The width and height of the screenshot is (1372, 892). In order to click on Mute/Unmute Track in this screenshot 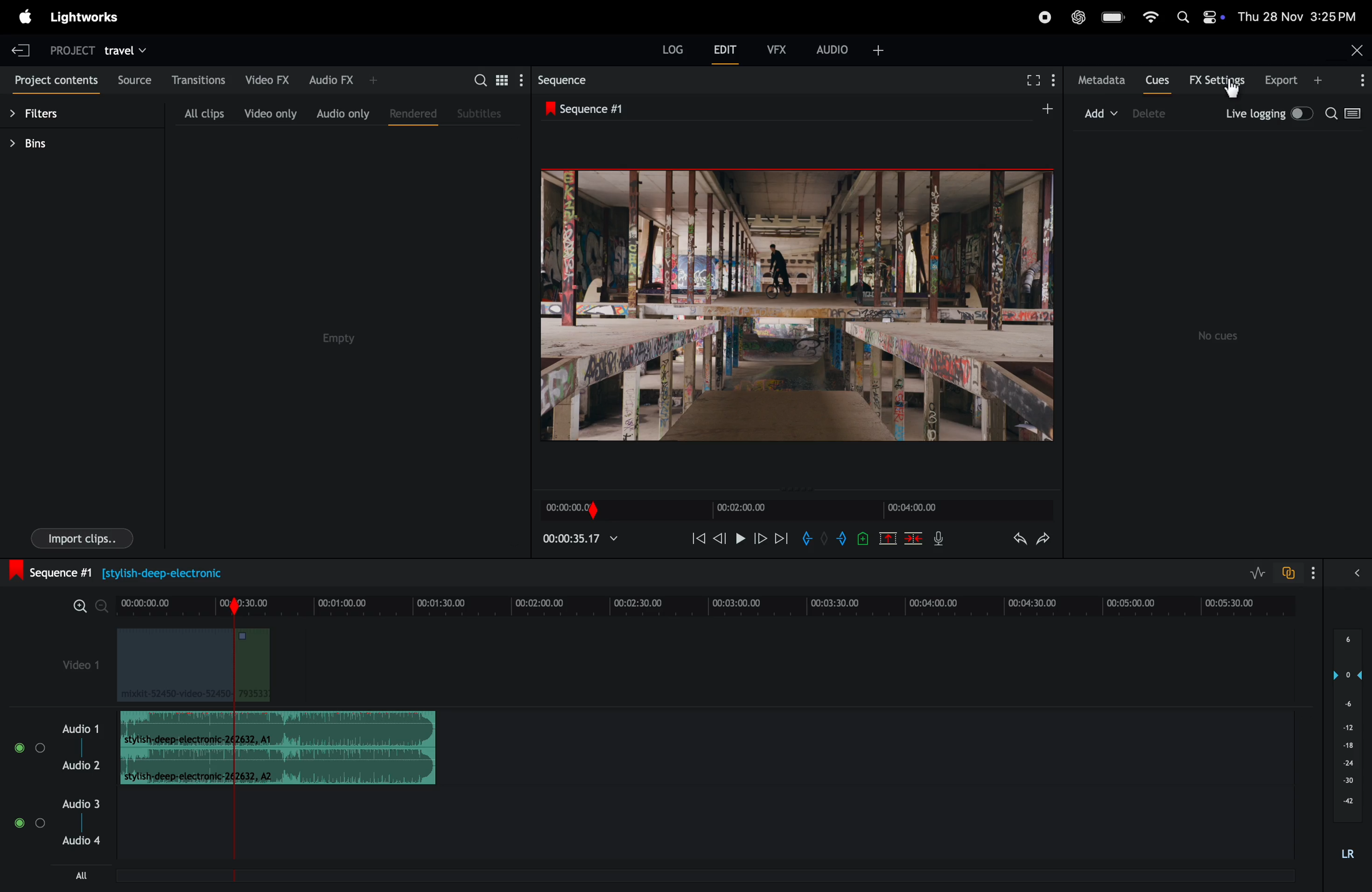, I will do `click(20, 825)`.